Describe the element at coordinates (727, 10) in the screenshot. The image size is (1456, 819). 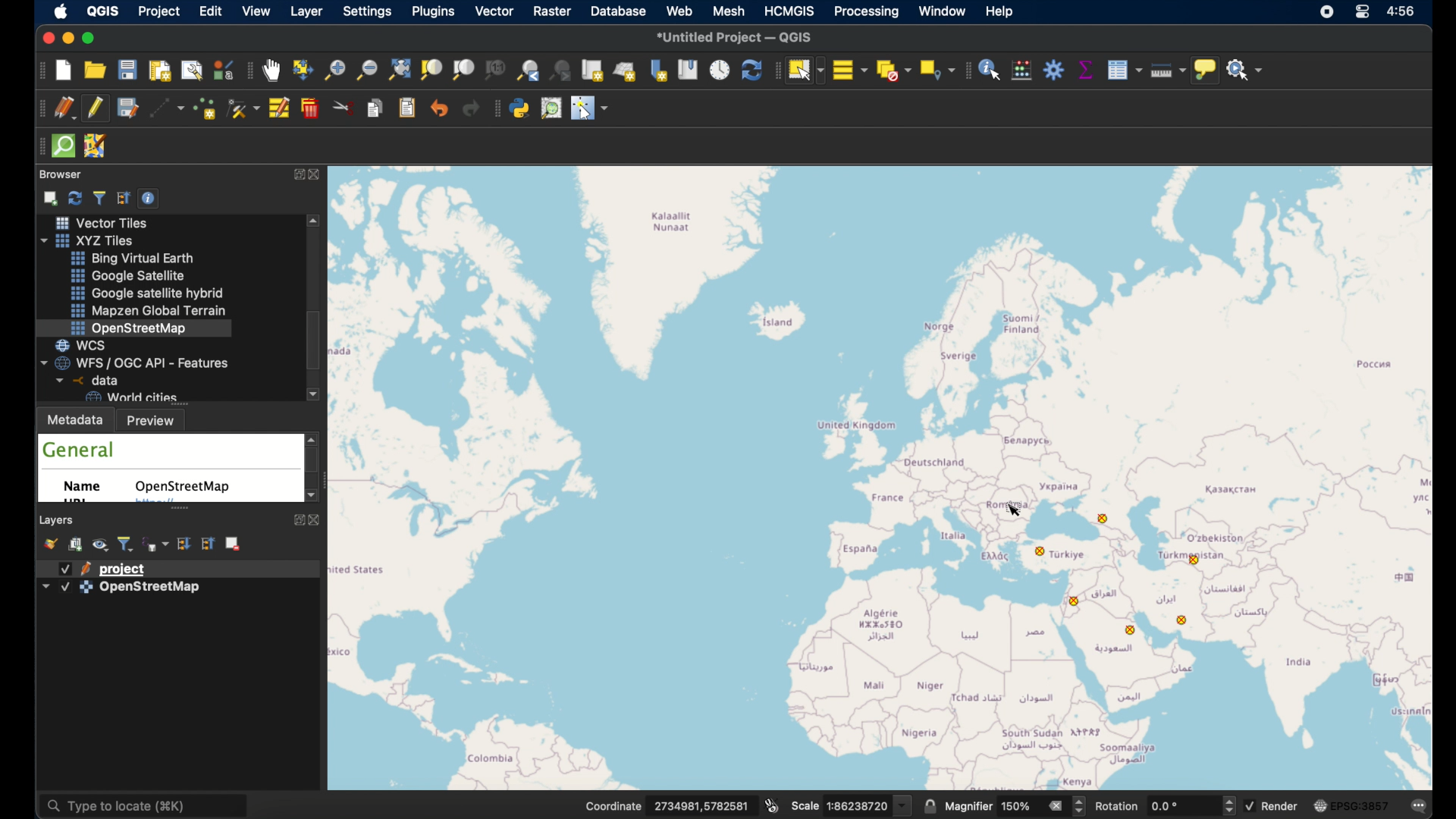
I see `mesh` at that location.